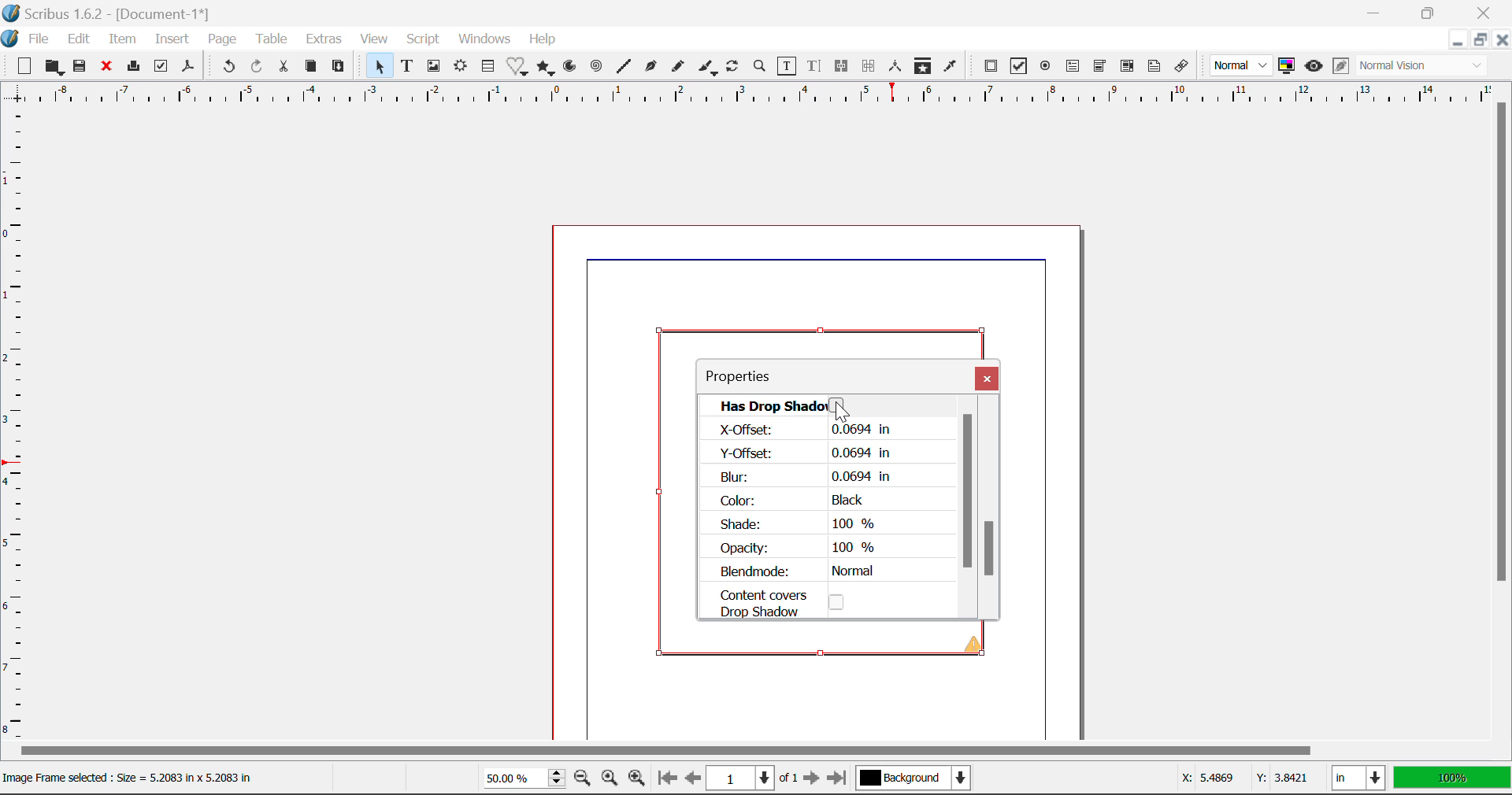 The image size is (1512, 795). What do you see at coordinates (19, 429) in the screenshot?
I see `Horizontal Page Margins` at bounding box center [19, 429].